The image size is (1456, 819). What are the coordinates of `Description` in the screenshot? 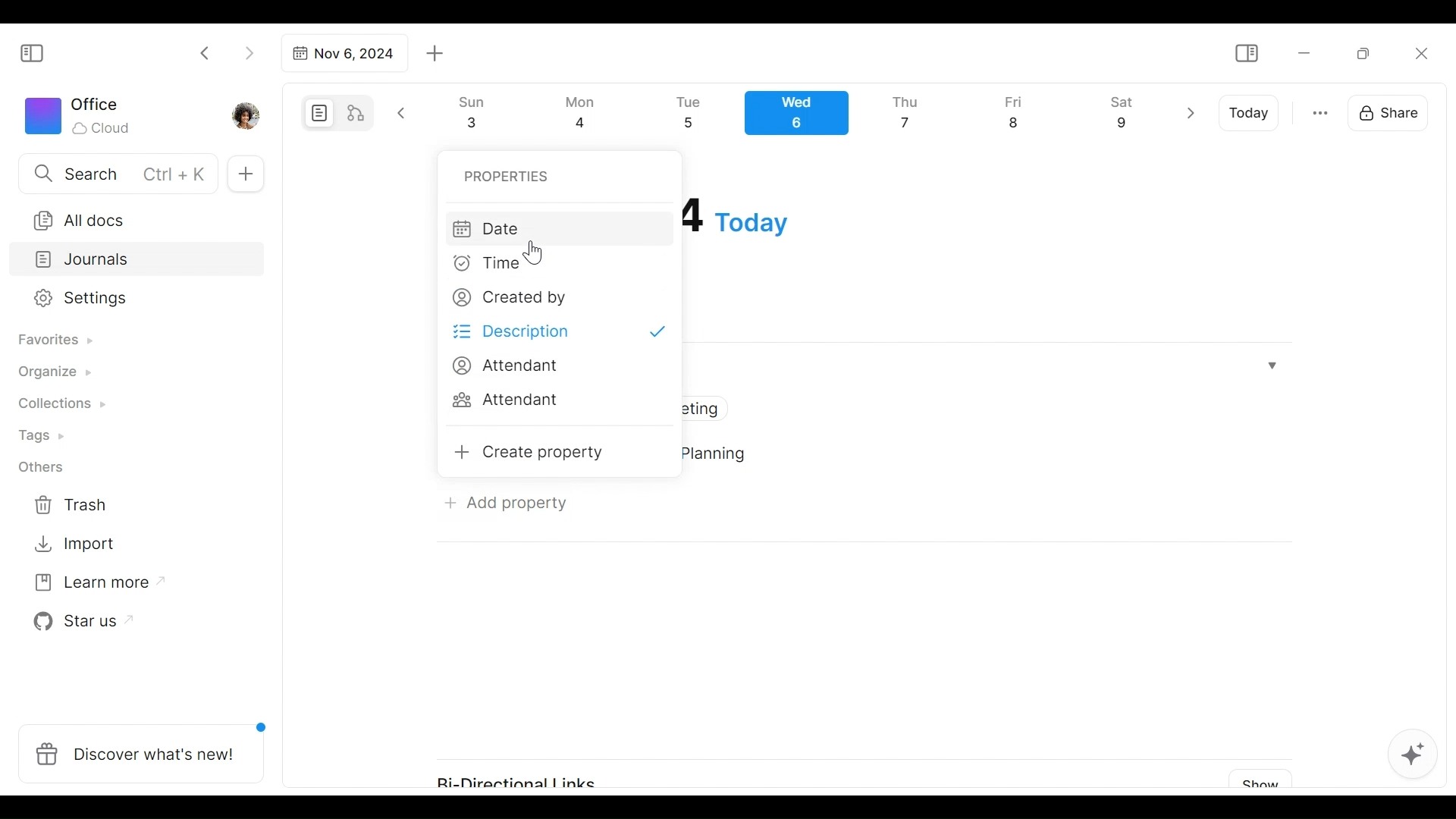 It's located at (562, 332).